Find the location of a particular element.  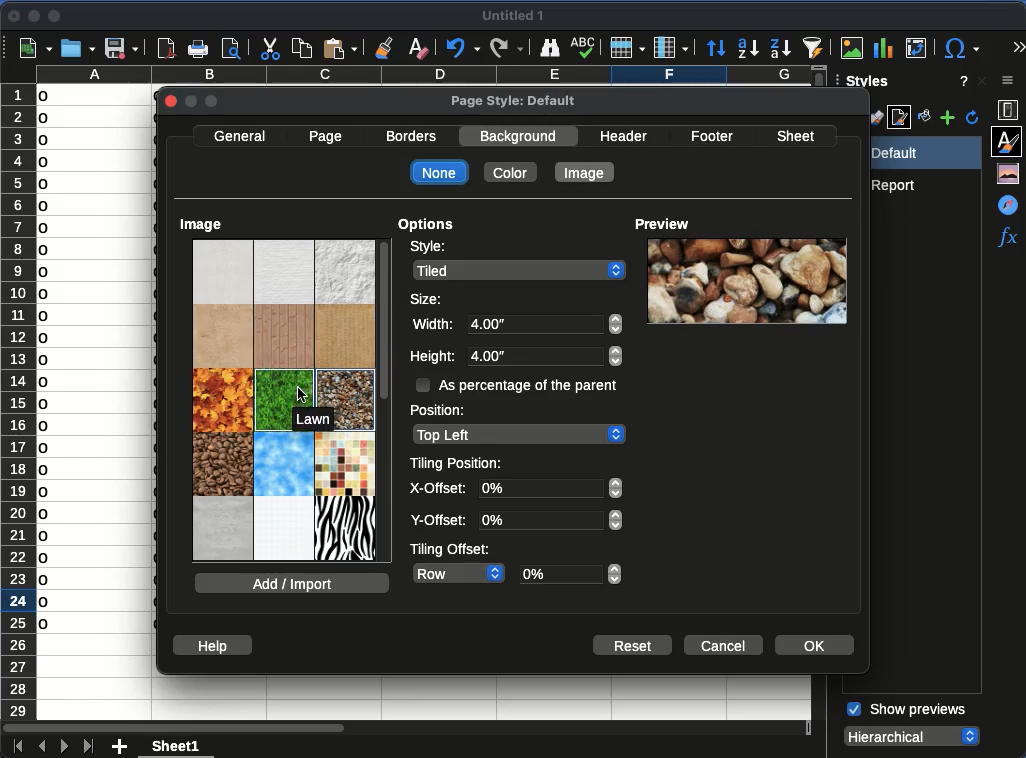

descending is located at coordinates (780, 48).